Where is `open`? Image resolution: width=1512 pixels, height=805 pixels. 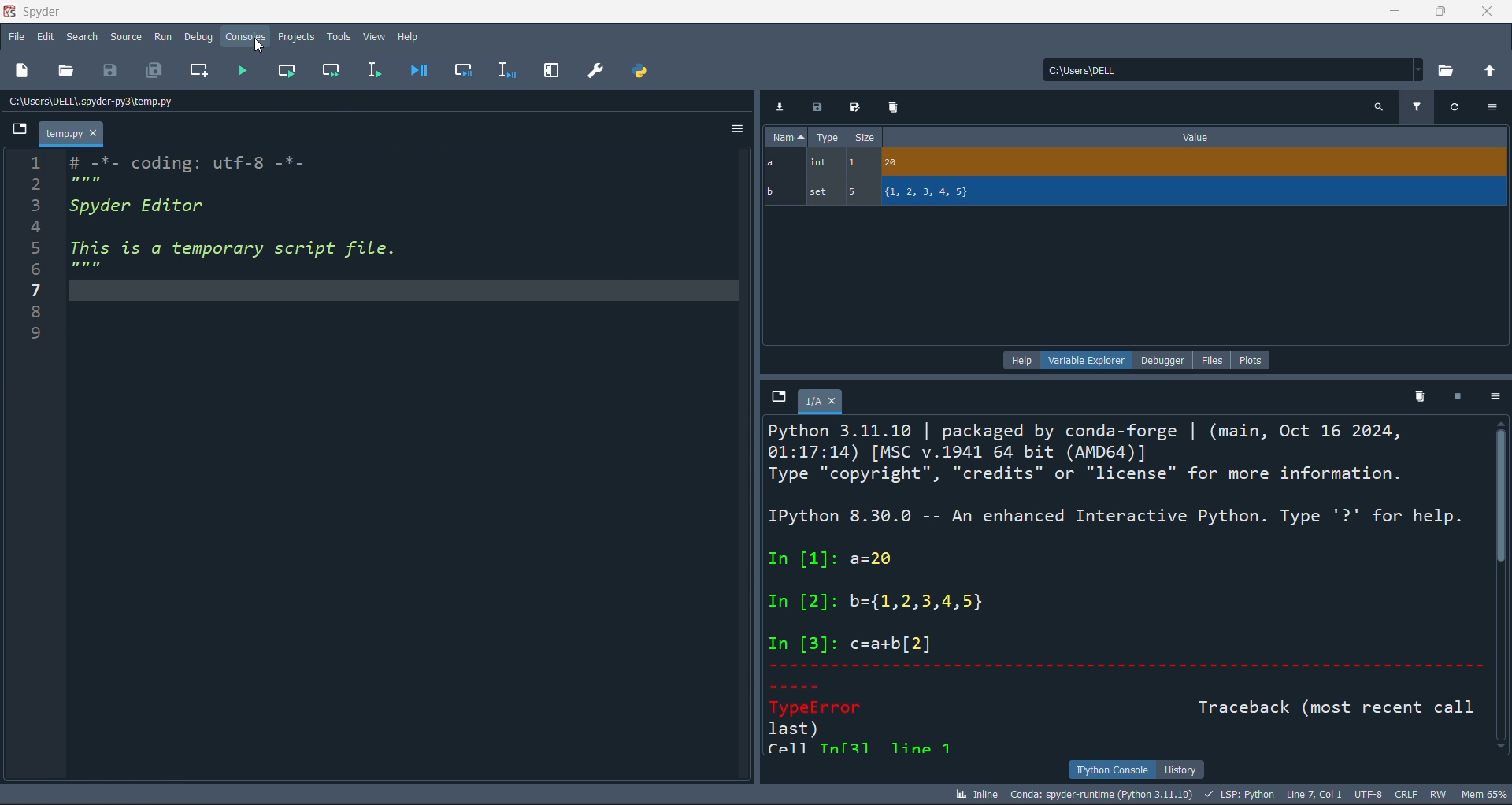
open is located at coordinates (68, 70).